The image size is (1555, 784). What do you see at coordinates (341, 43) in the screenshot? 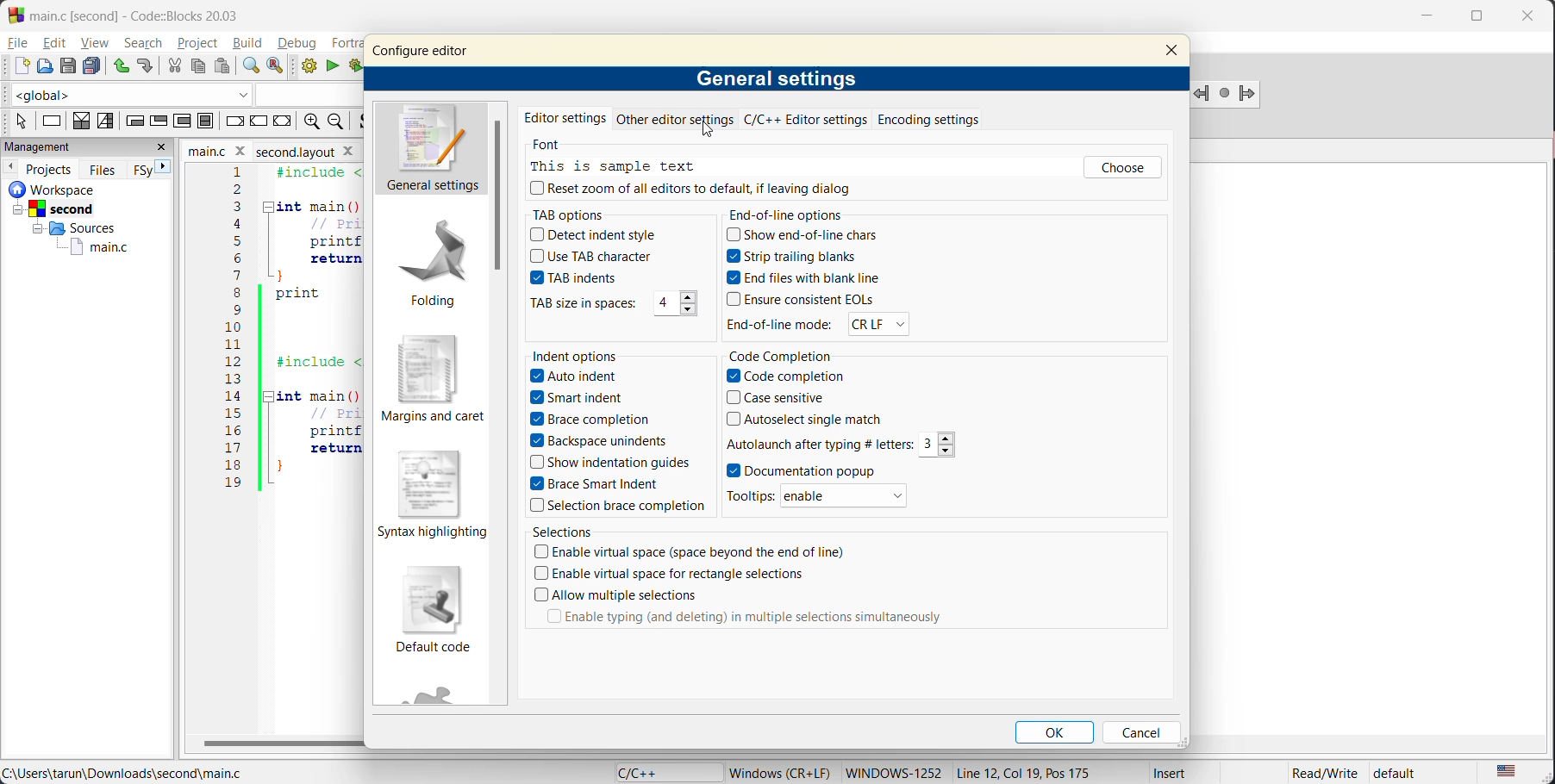
I see `fortran` at bounding box center [341, 43].